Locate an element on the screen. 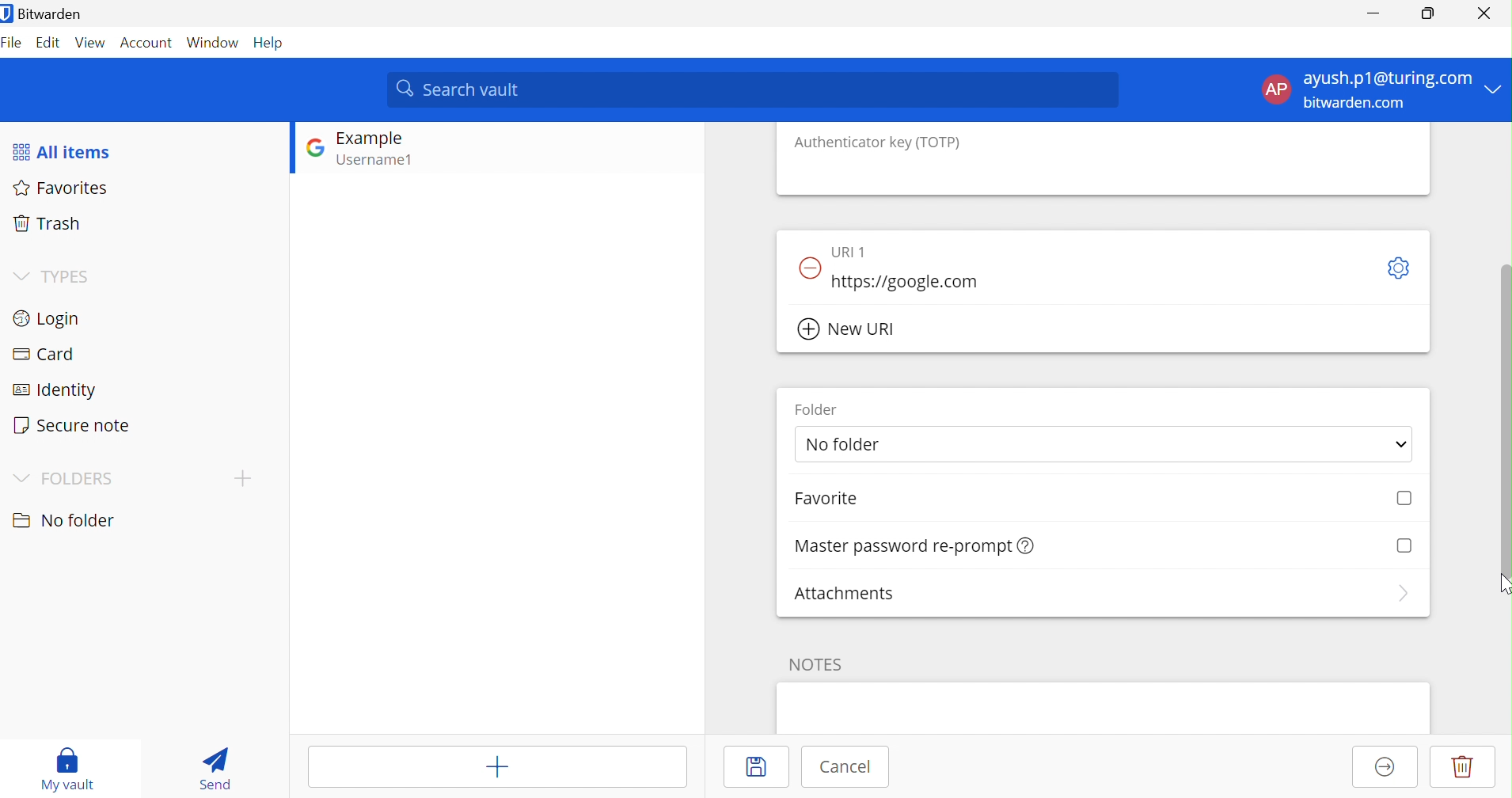 The image size is (1512, 798). Close is located at coordinates (1484, 11).